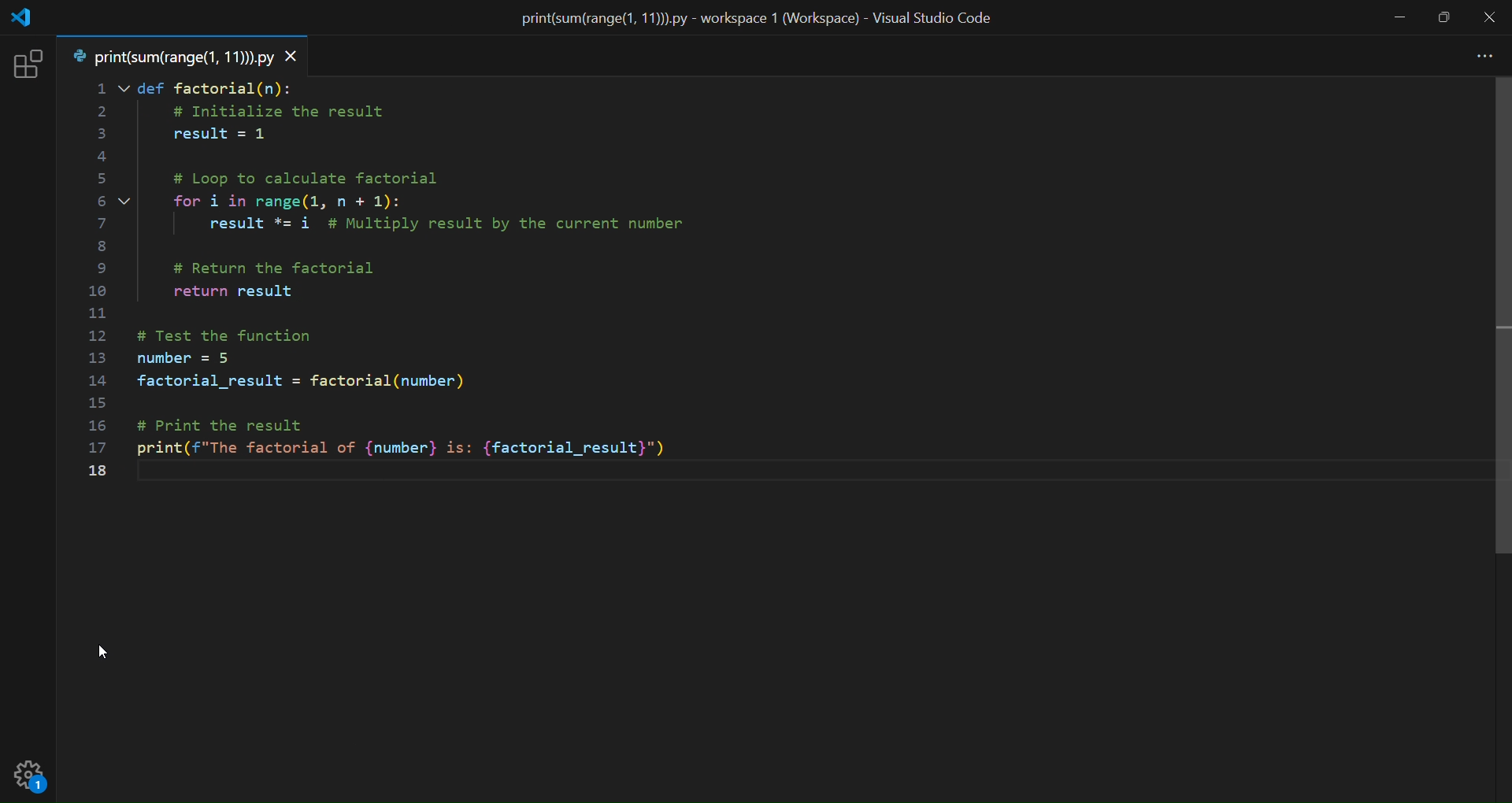 Image resolution: width=1512 pixels, height=803 pixels. What do you see at coordinates (108, 657) in the screenshot?
I see `cursor` at bounding box center [108, 657].